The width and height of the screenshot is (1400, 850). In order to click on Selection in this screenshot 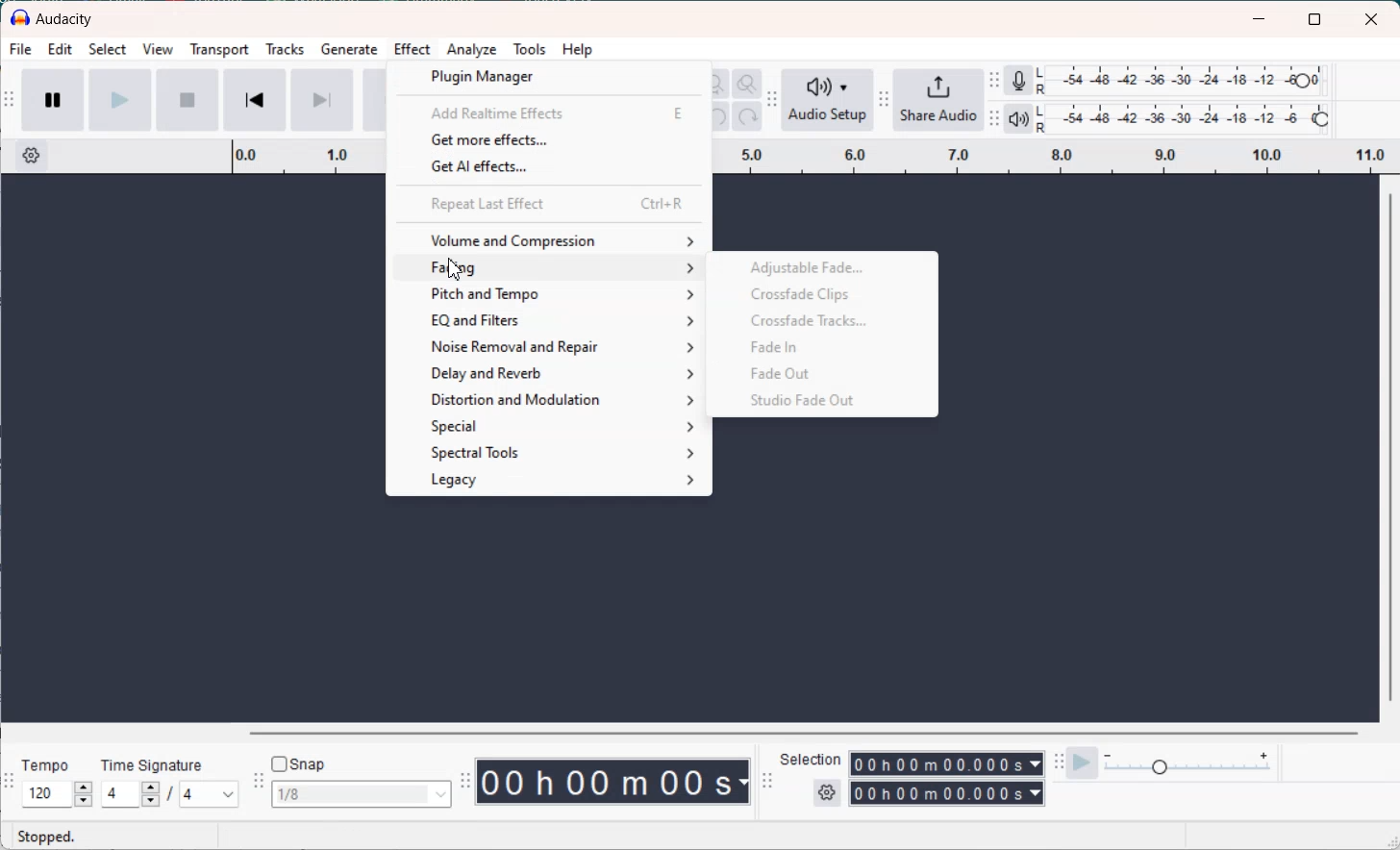, I will do `click(812, 761)`.